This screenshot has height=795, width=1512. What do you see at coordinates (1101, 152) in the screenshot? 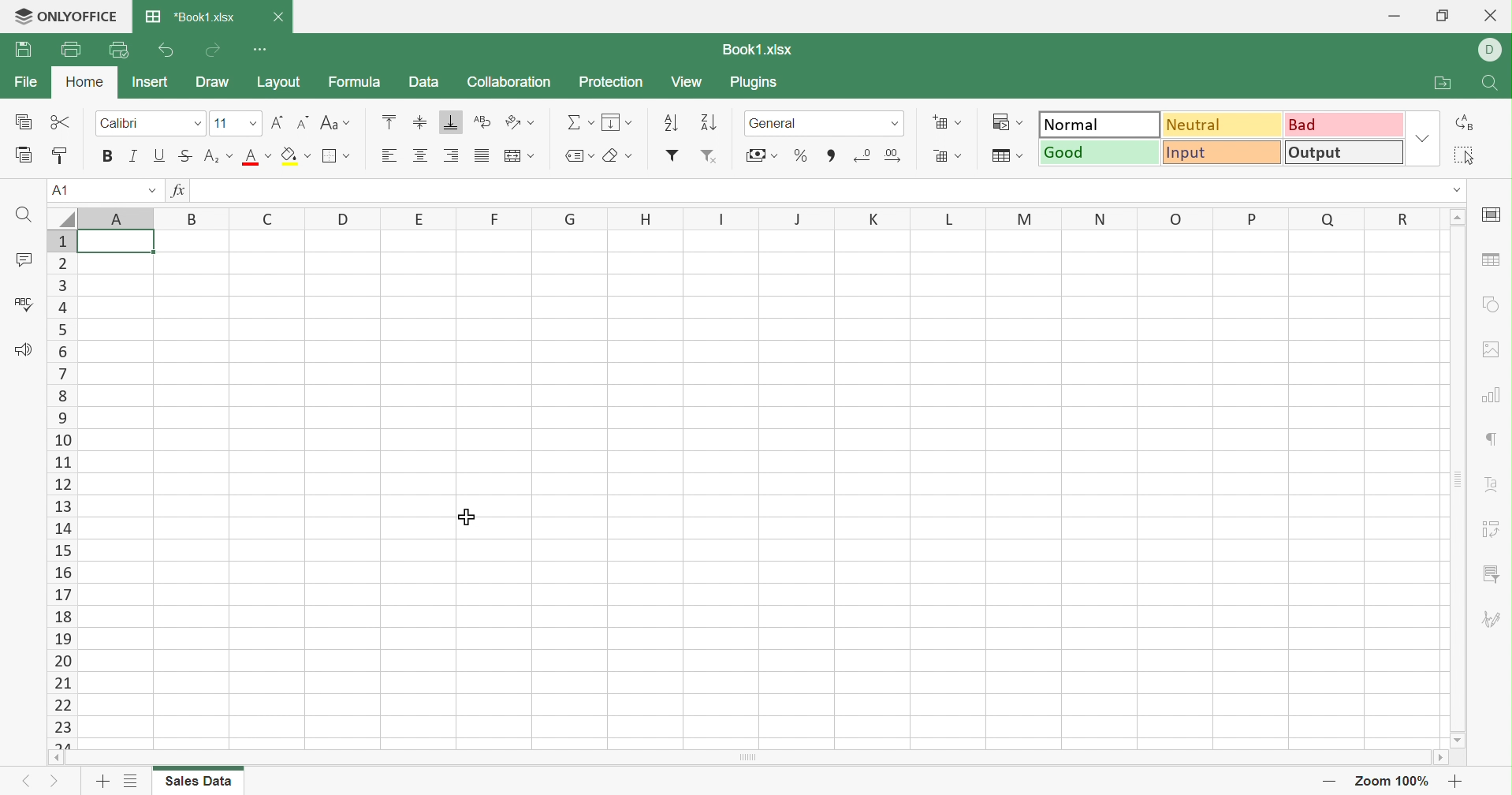
I see `Good` at bounding box center [1101, 152].